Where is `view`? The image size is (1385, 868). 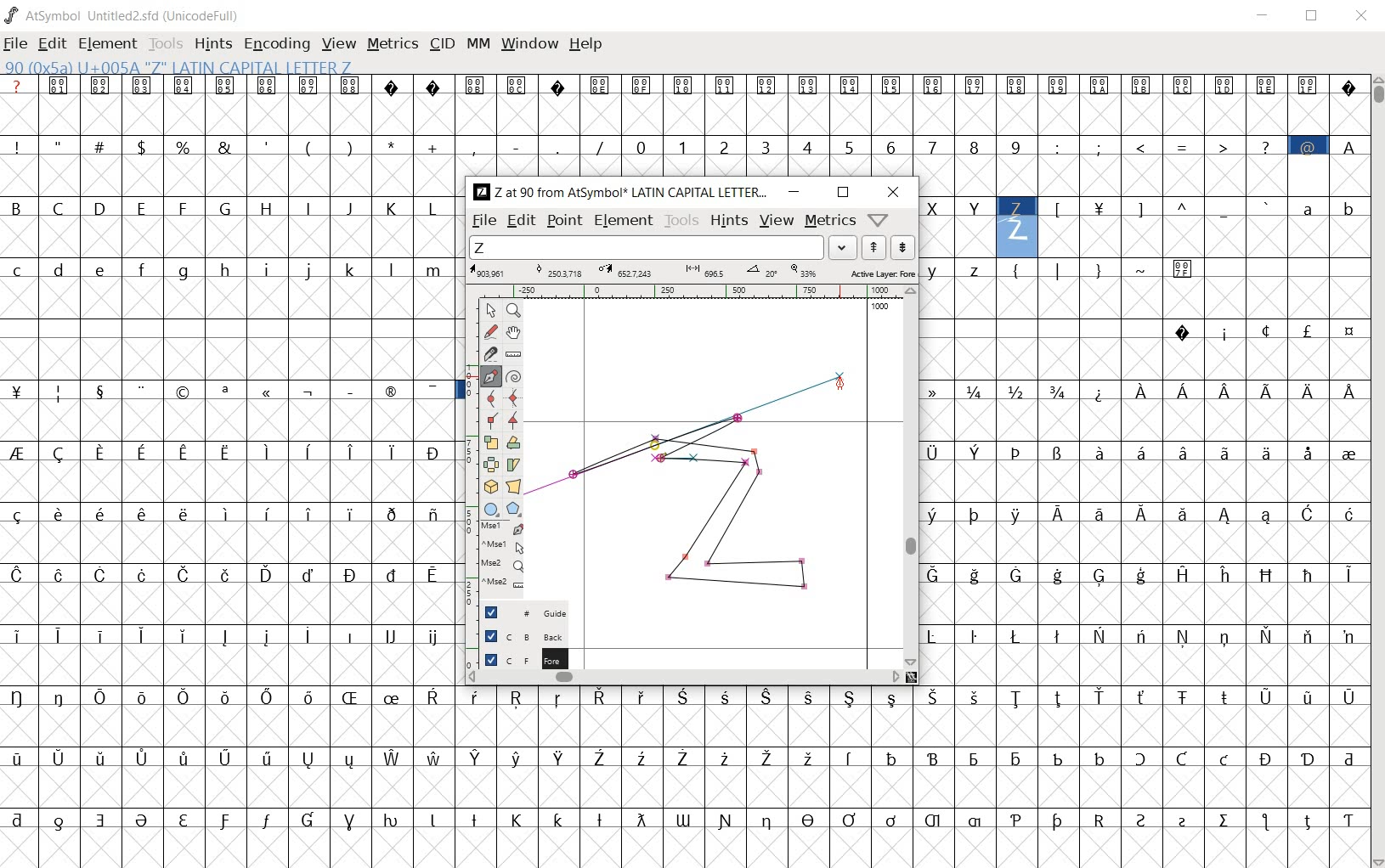 view is located at coordinates (340, 43).